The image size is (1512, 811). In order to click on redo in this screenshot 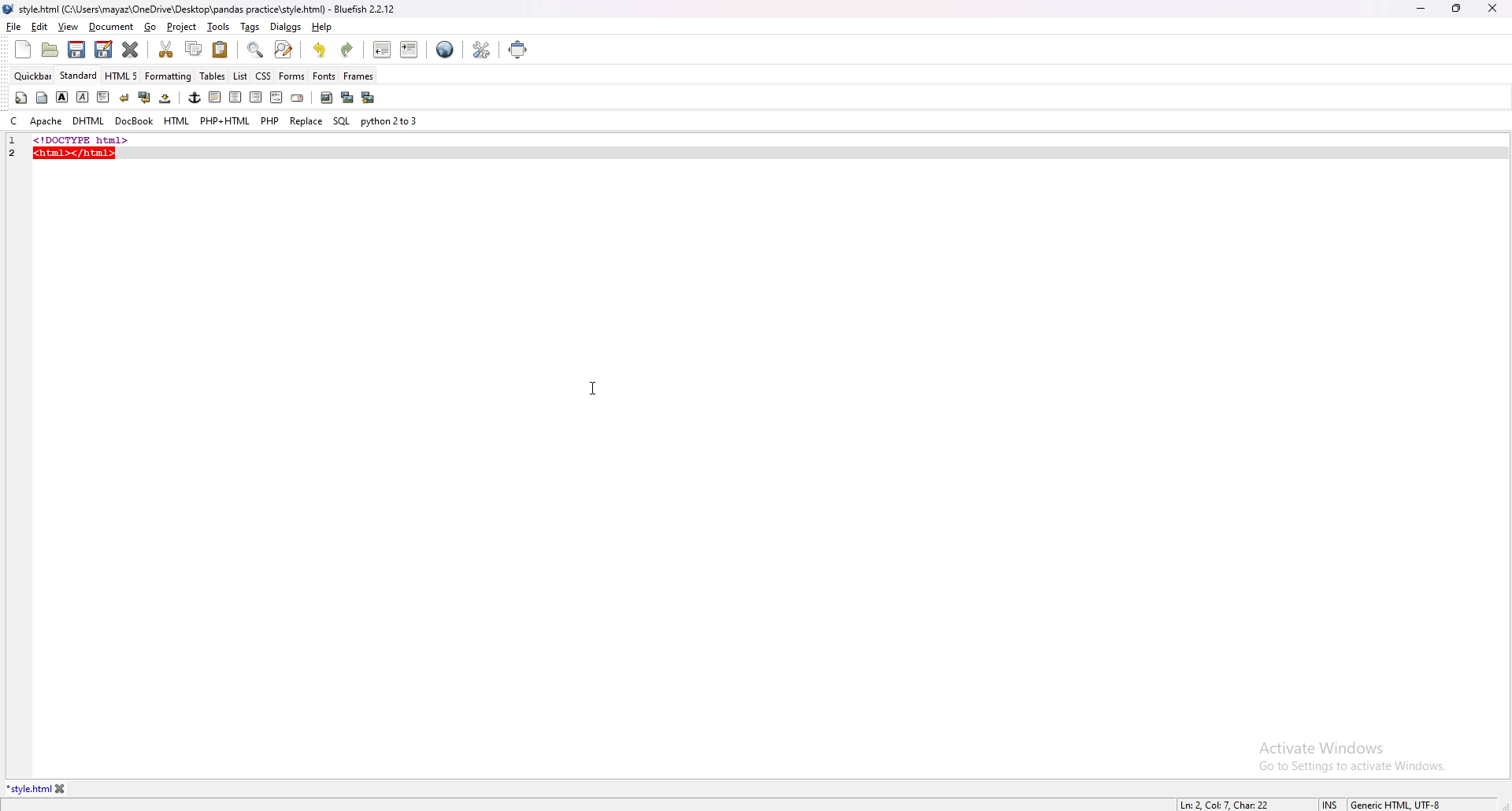, I will do `click(346, 50)`.